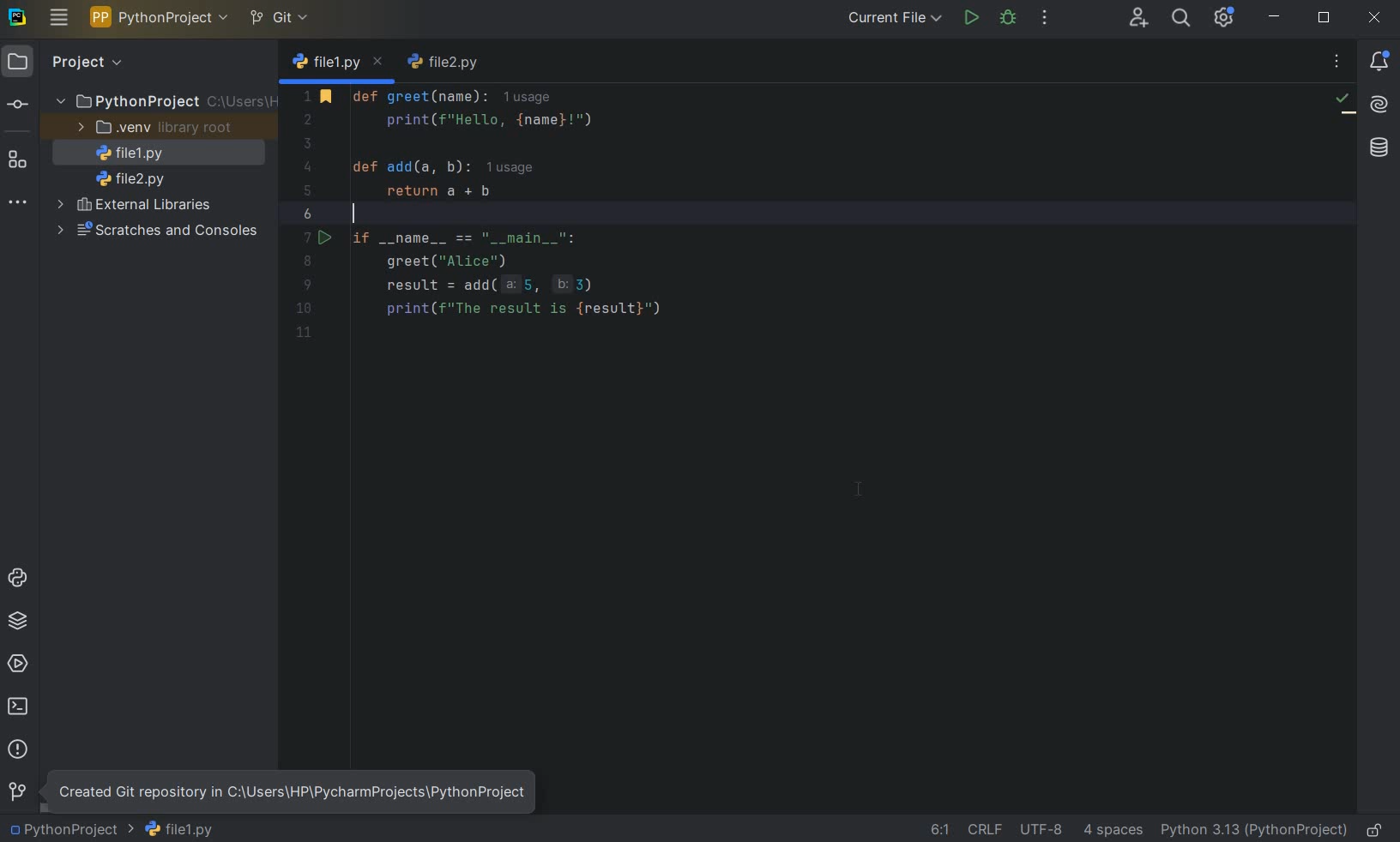 The image size is (1400, 842). Describe the element at coordinates (18, 621) in the screenshot. I see `python packages` at that location.